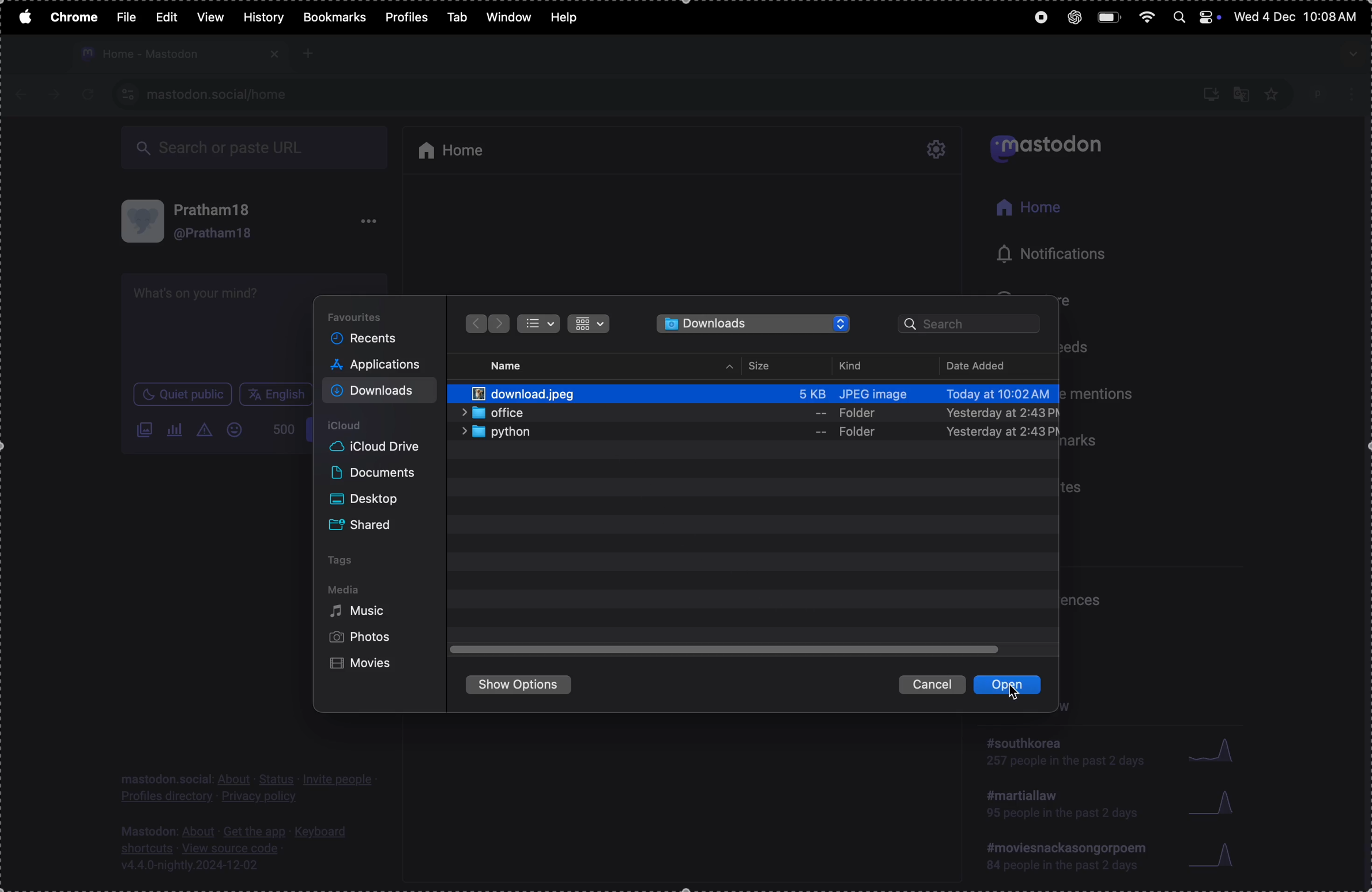  Describe the element at coordinates (1069, 17) in the screenshot. I see `chatgpt` at that location.